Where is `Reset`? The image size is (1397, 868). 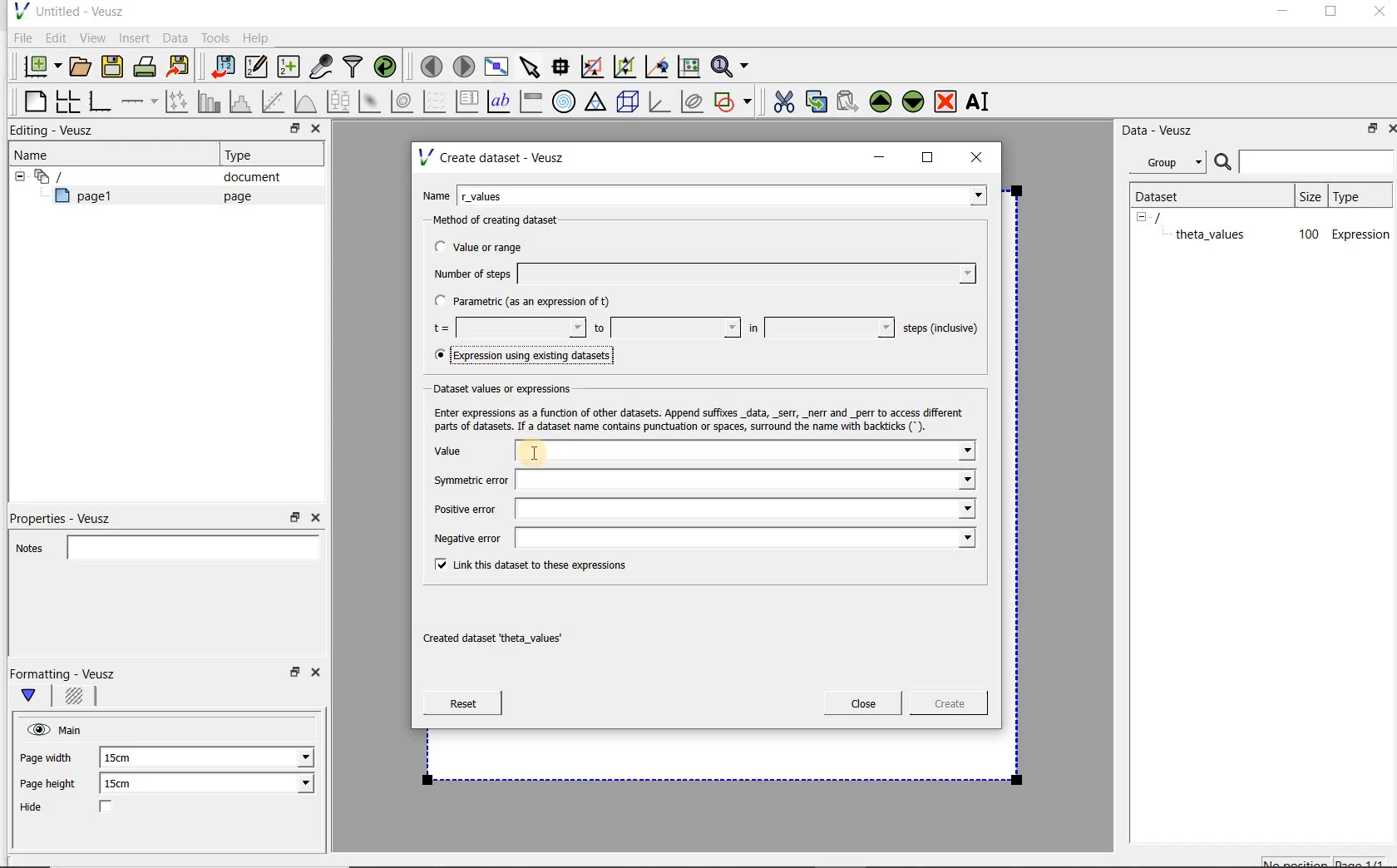 Reset is located at coordinates (462, 703).